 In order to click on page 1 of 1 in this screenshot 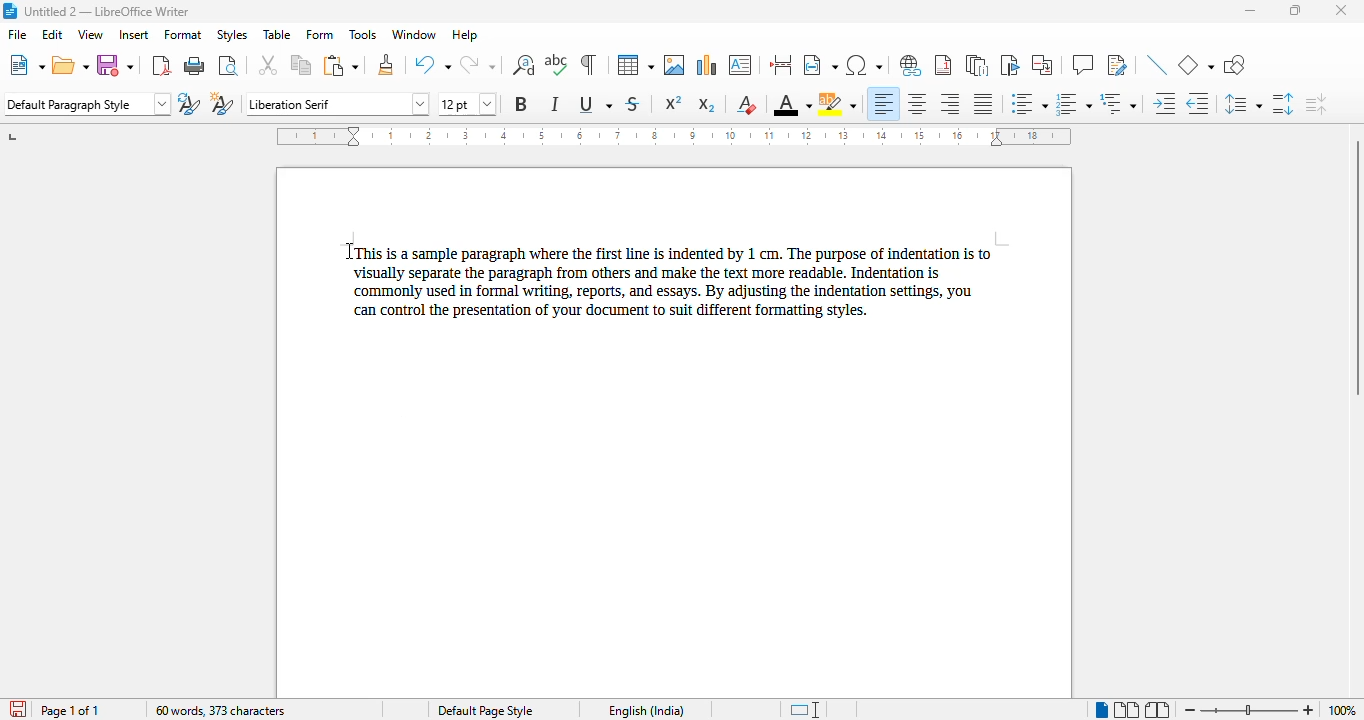, I will do `click(70, 711)`.